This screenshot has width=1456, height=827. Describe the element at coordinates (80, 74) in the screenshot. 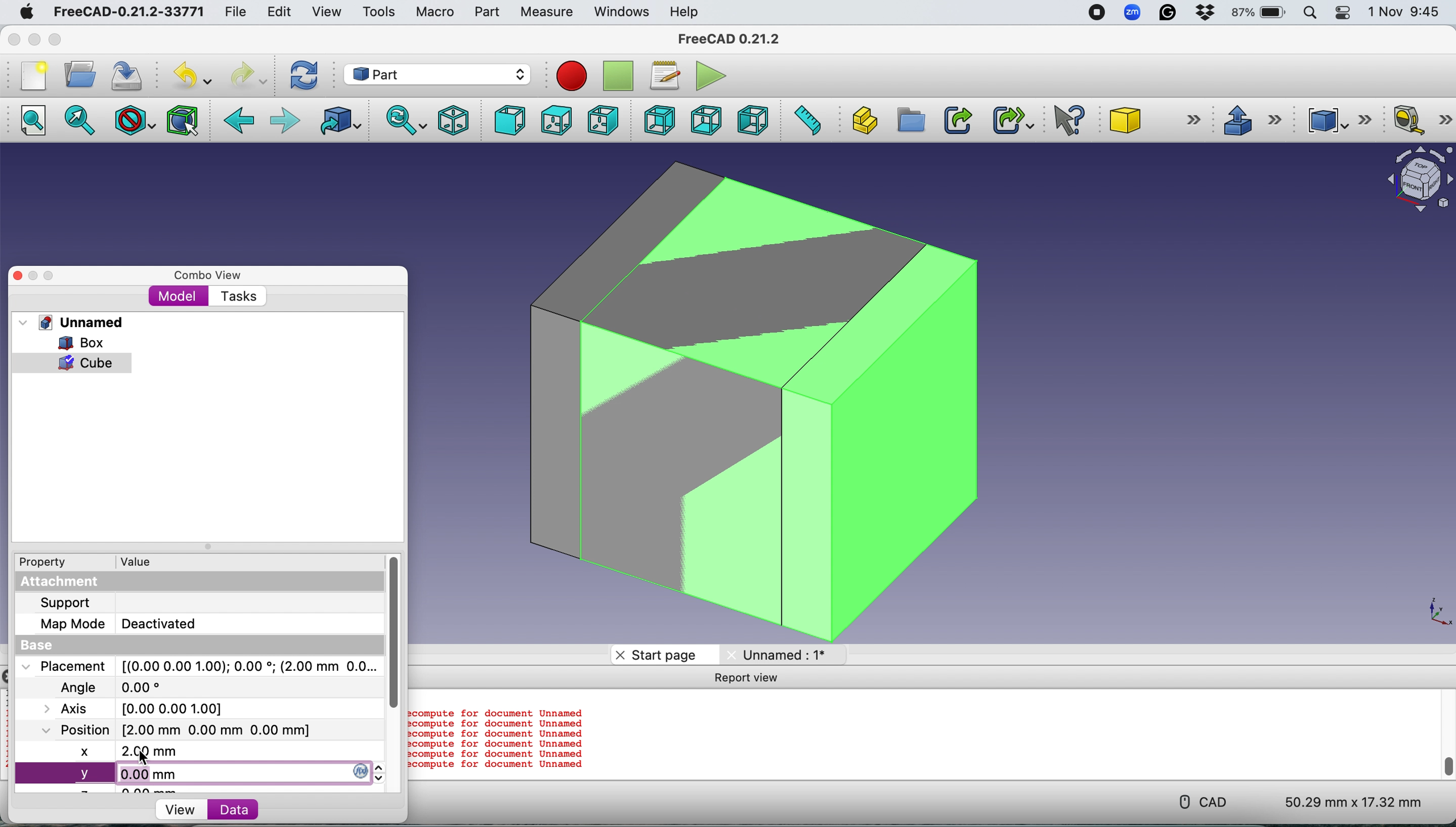

I see `Open` at that location.